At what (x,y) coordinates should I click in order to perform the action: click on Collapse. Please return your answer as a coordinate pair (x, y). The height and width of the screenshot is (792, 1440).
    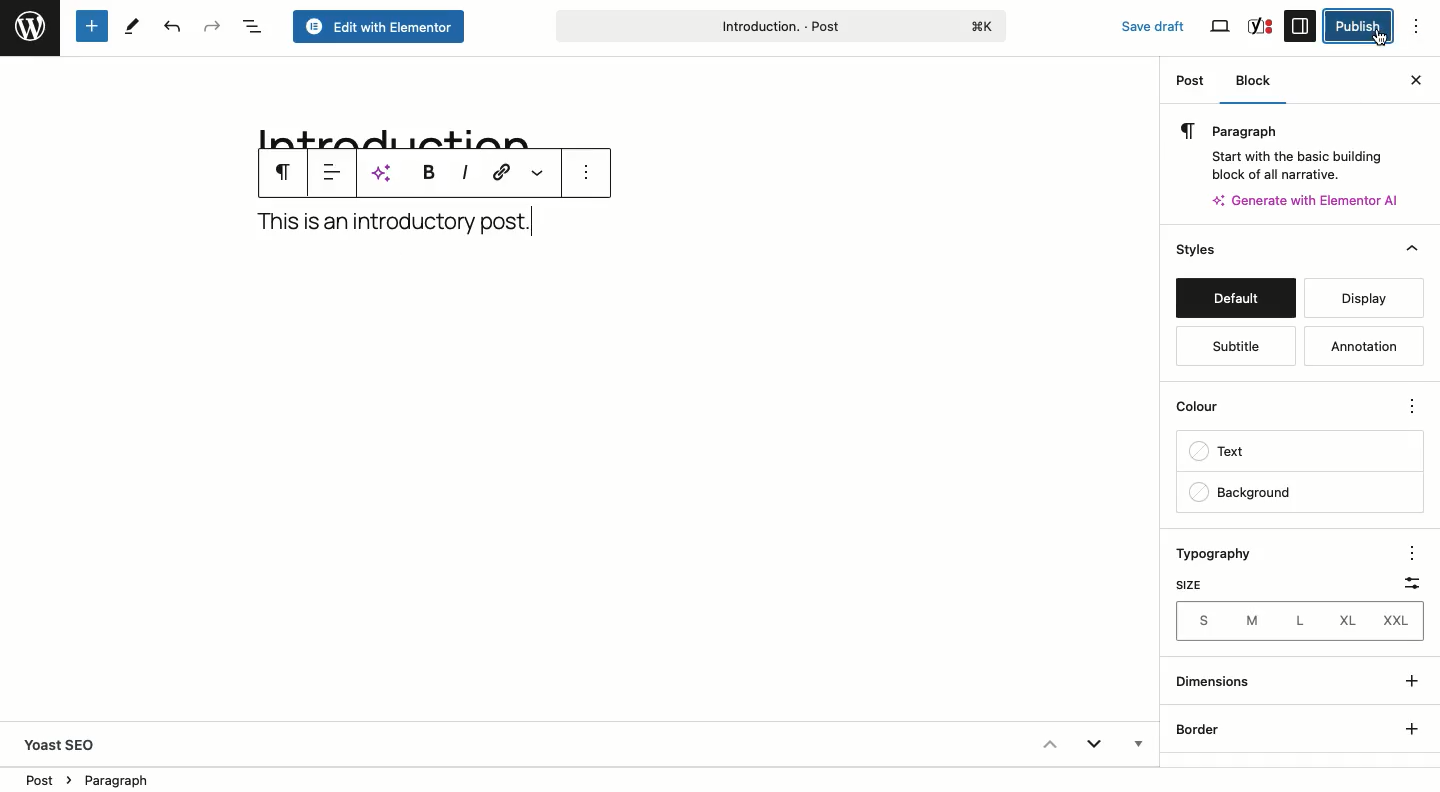
    Looking at the image, I should click on (1048, 744).